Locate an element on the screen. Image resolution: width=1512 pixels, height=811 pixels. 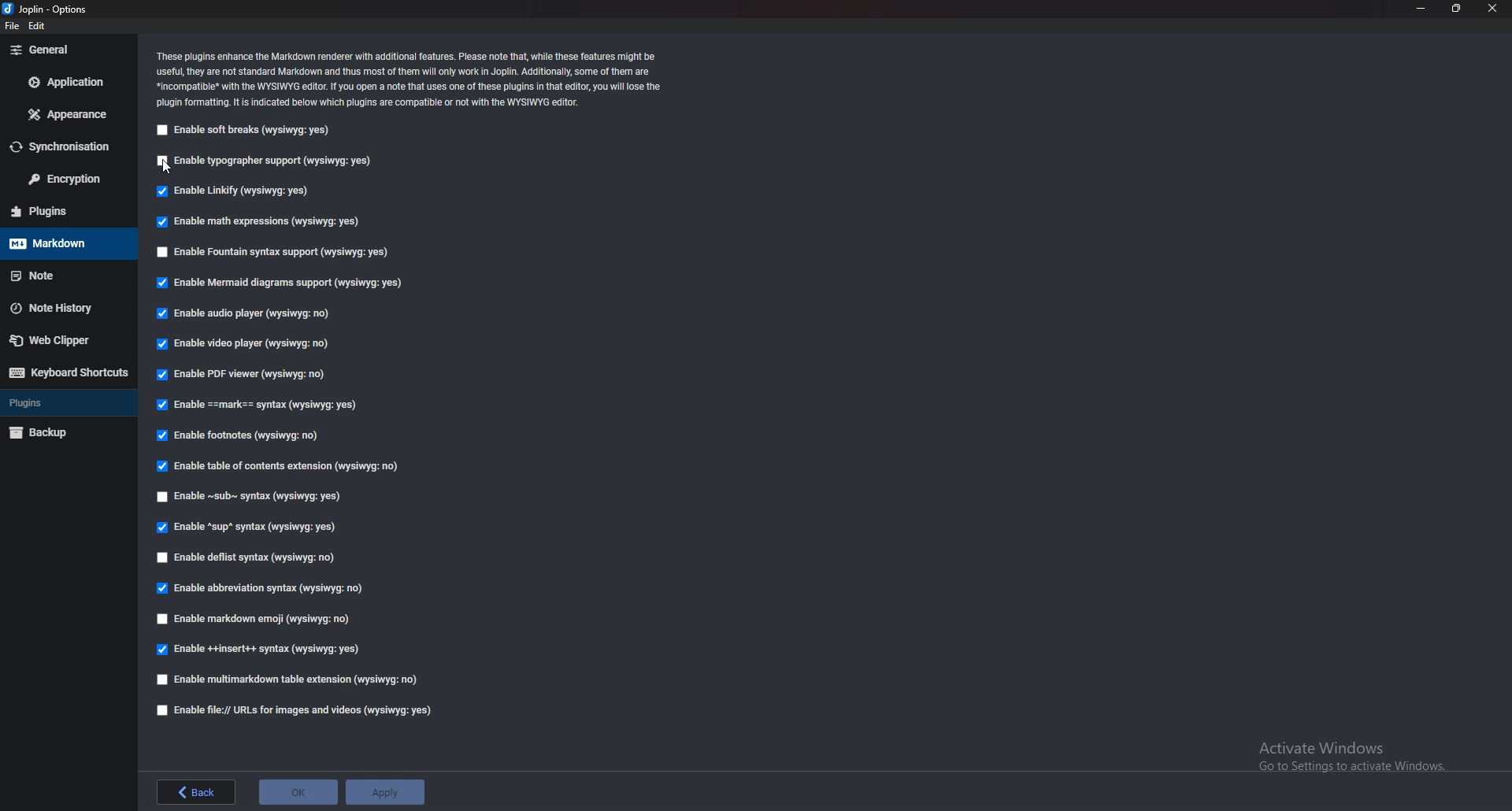
web clipper is located at coordinates (65, 340).